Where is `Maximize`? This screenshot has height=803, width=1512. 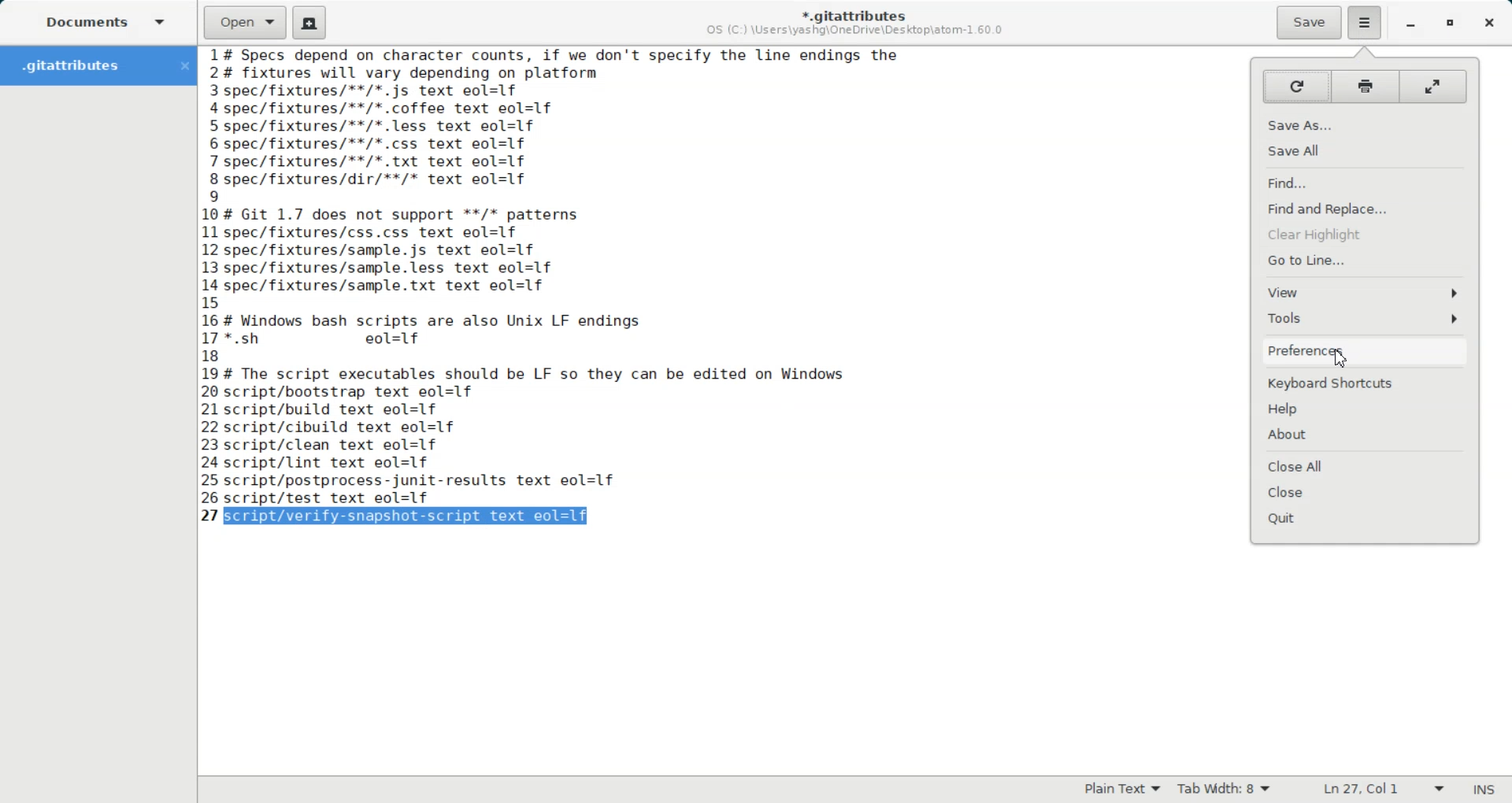
Maximize is located at coordinates (1451, 24).